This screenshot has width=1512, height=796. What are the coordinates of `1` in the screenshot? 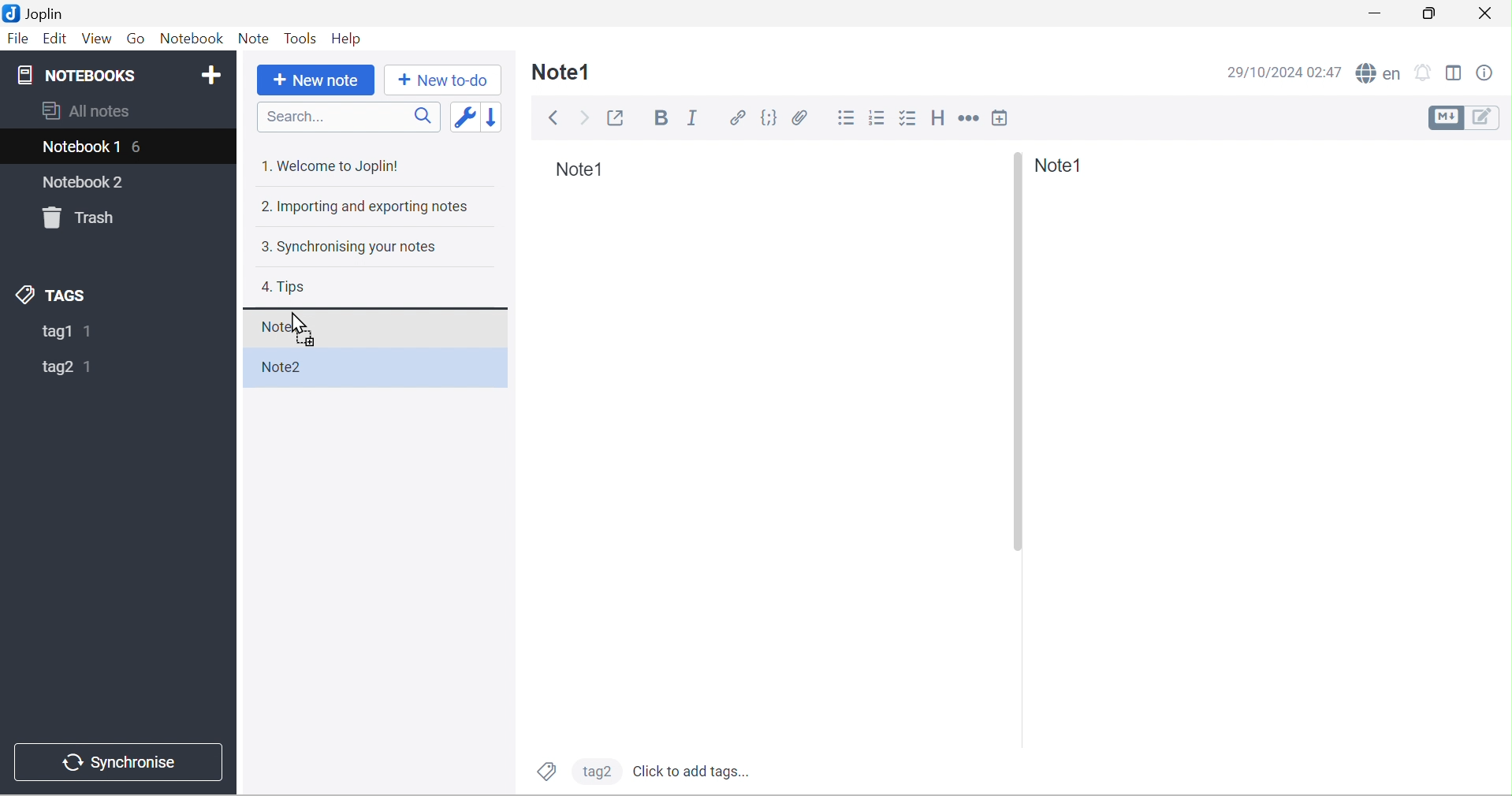 It's located at (93, 332).